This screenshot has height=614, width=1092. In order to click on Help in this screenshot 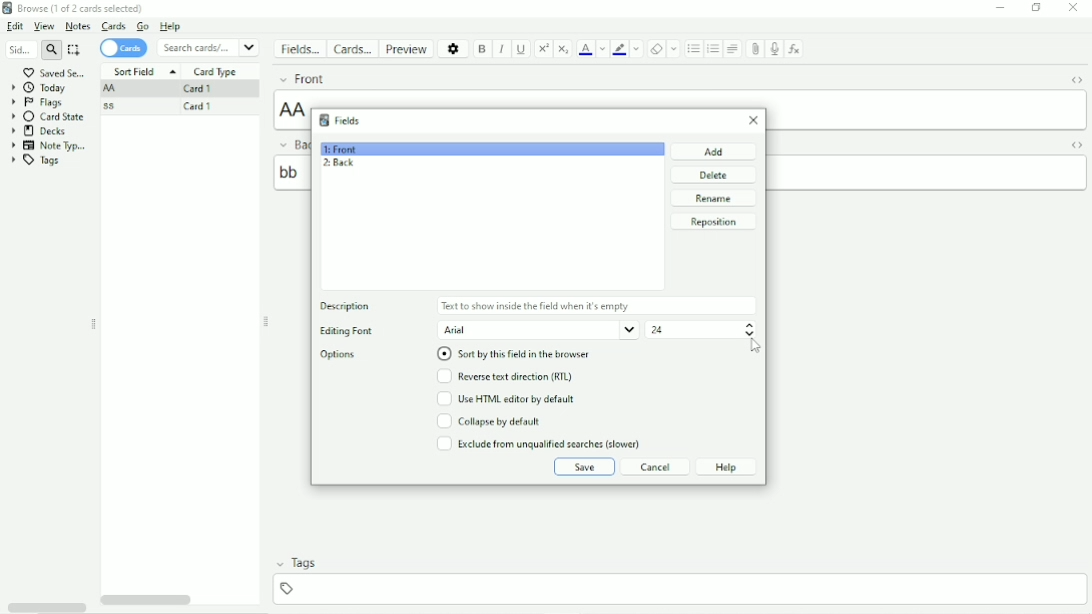, I will do `click(176, 27)`.